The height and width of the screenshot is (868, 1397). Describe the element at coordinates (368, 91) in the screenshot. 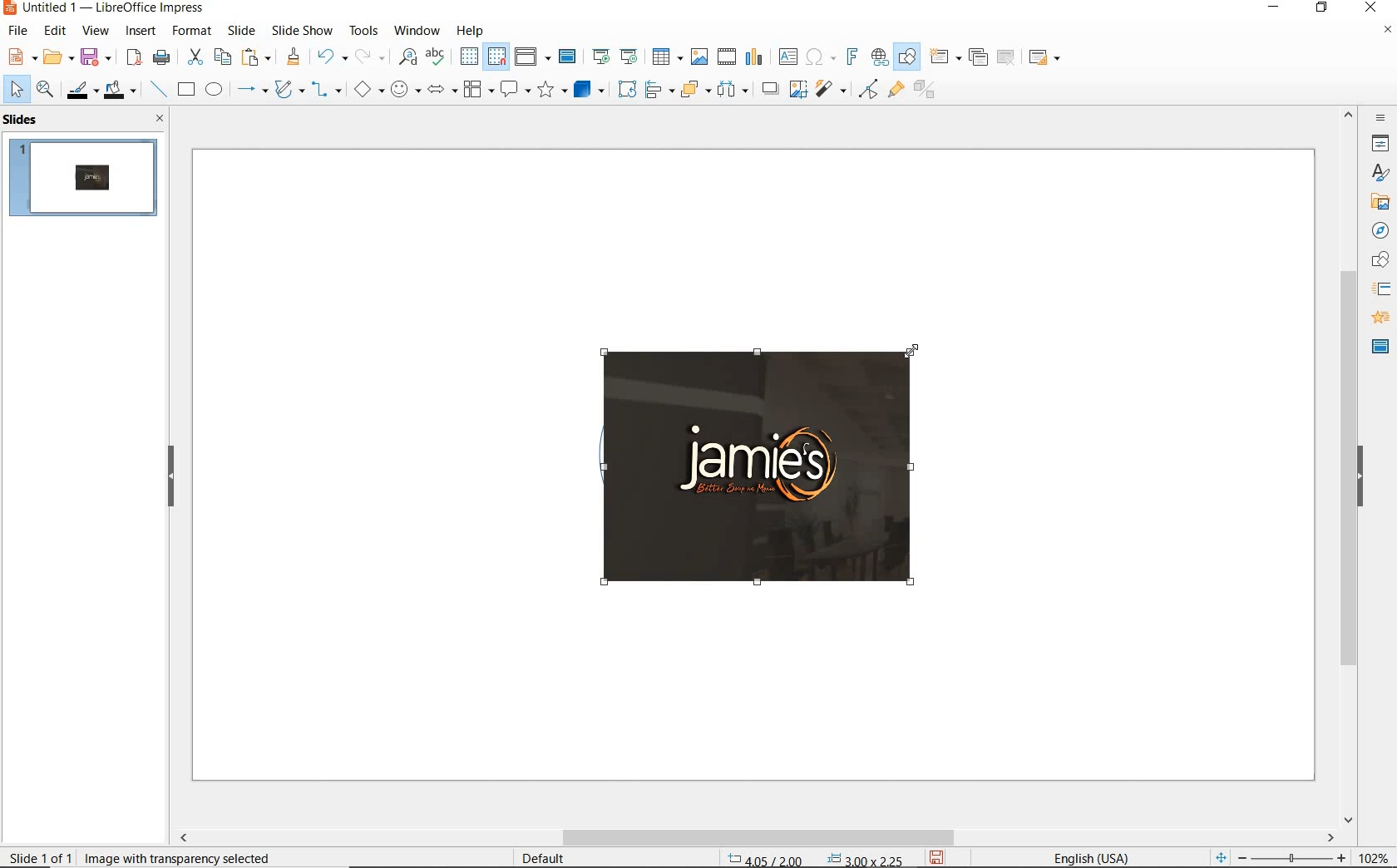

I see `basic shapes` at that location.